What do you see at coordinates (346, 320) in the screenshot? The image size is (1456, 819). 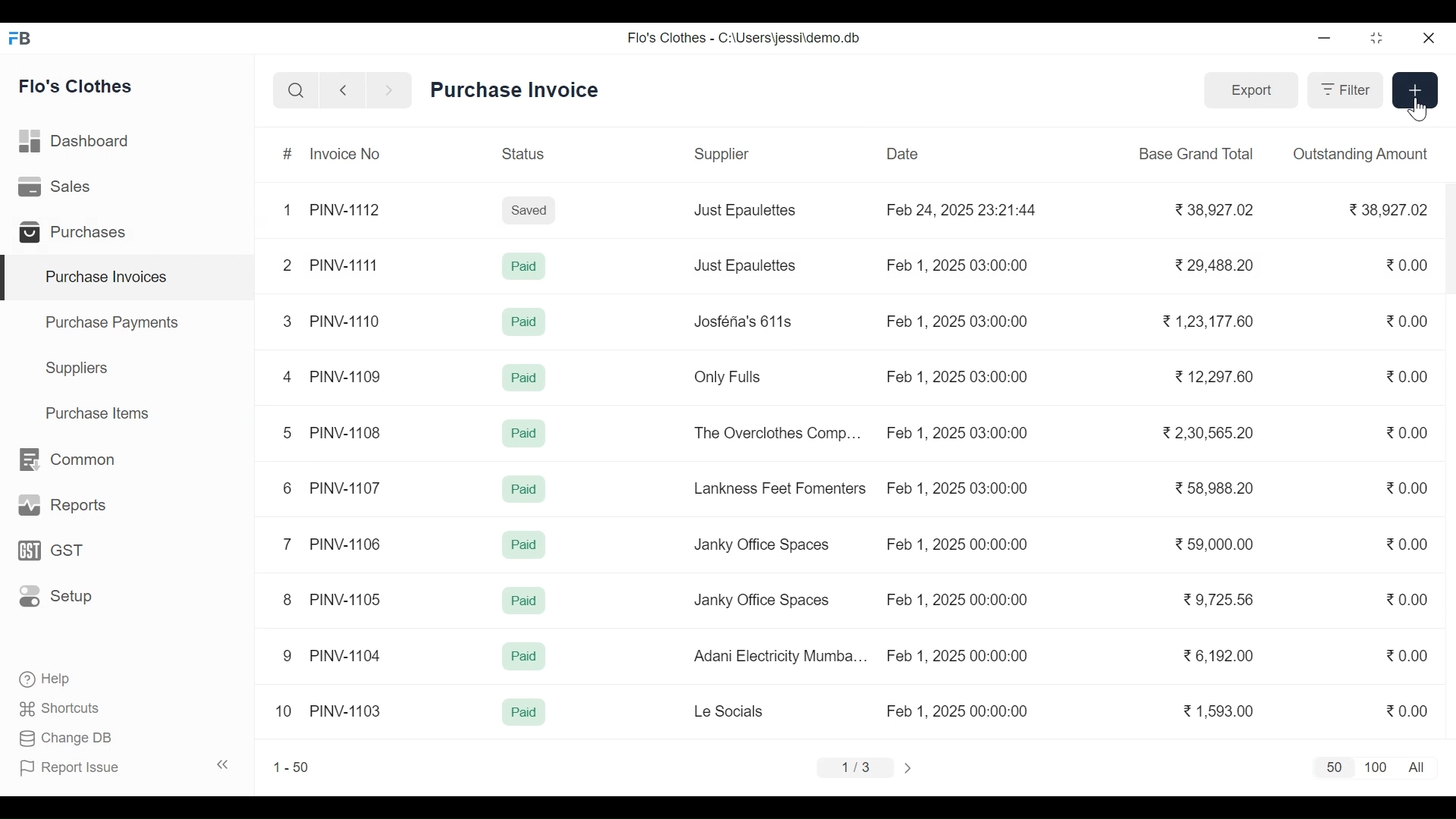 I see `PINV-1110` at bounding box center [346, 320].